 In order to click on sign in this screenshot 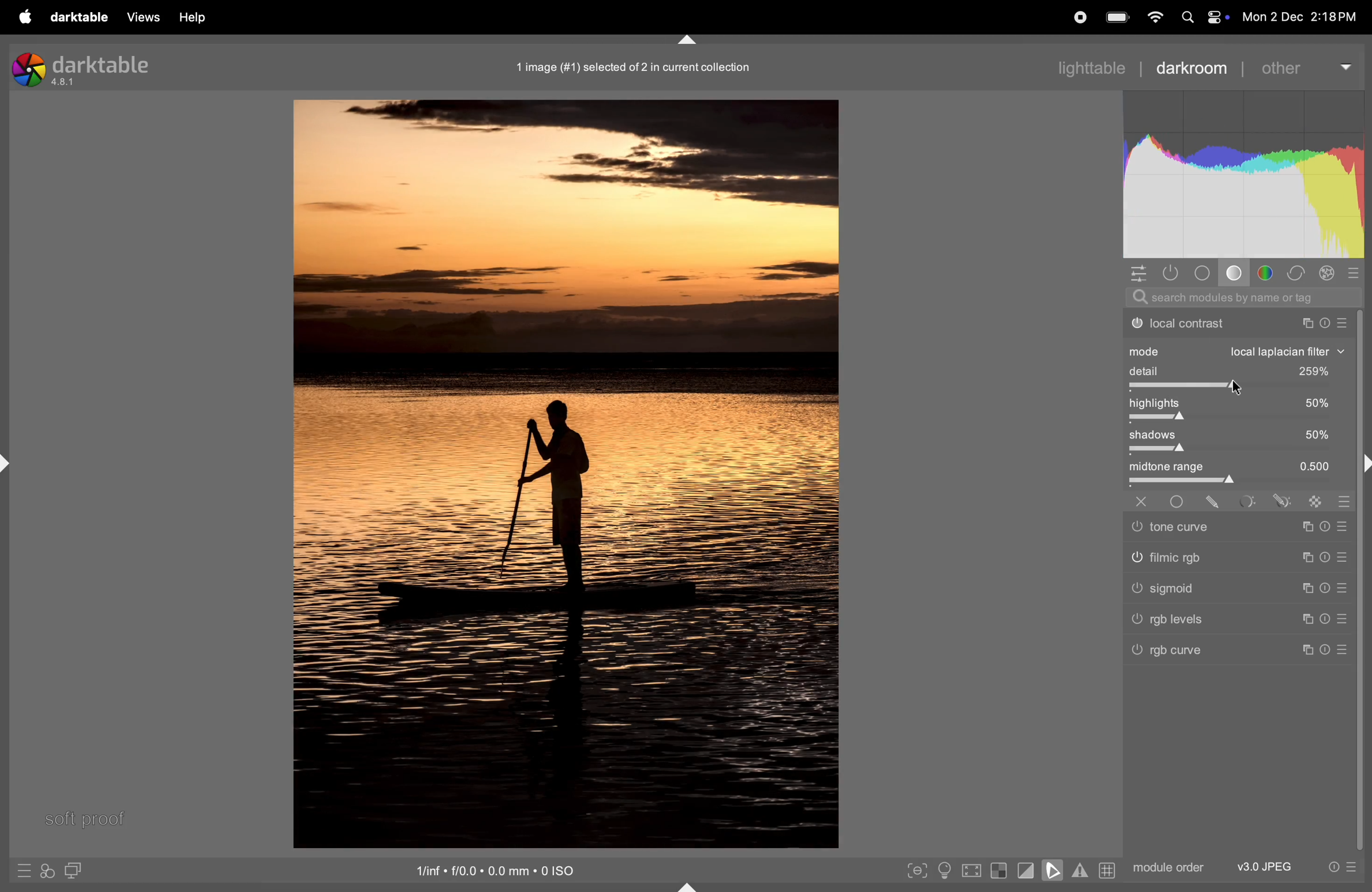, I will do `click(1310, 556)`.